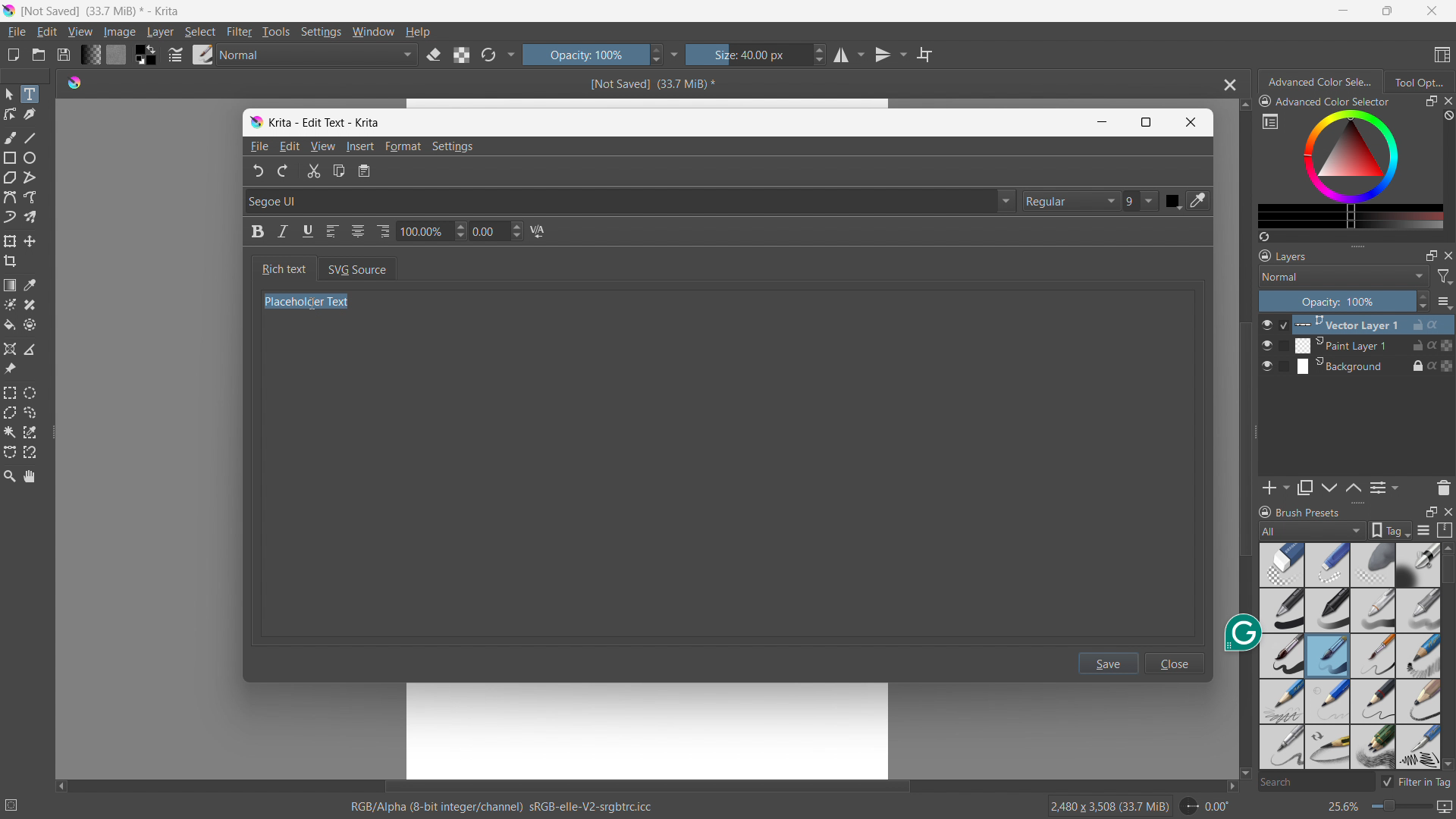  I want to click on wrap around mode, so click(925, 54).